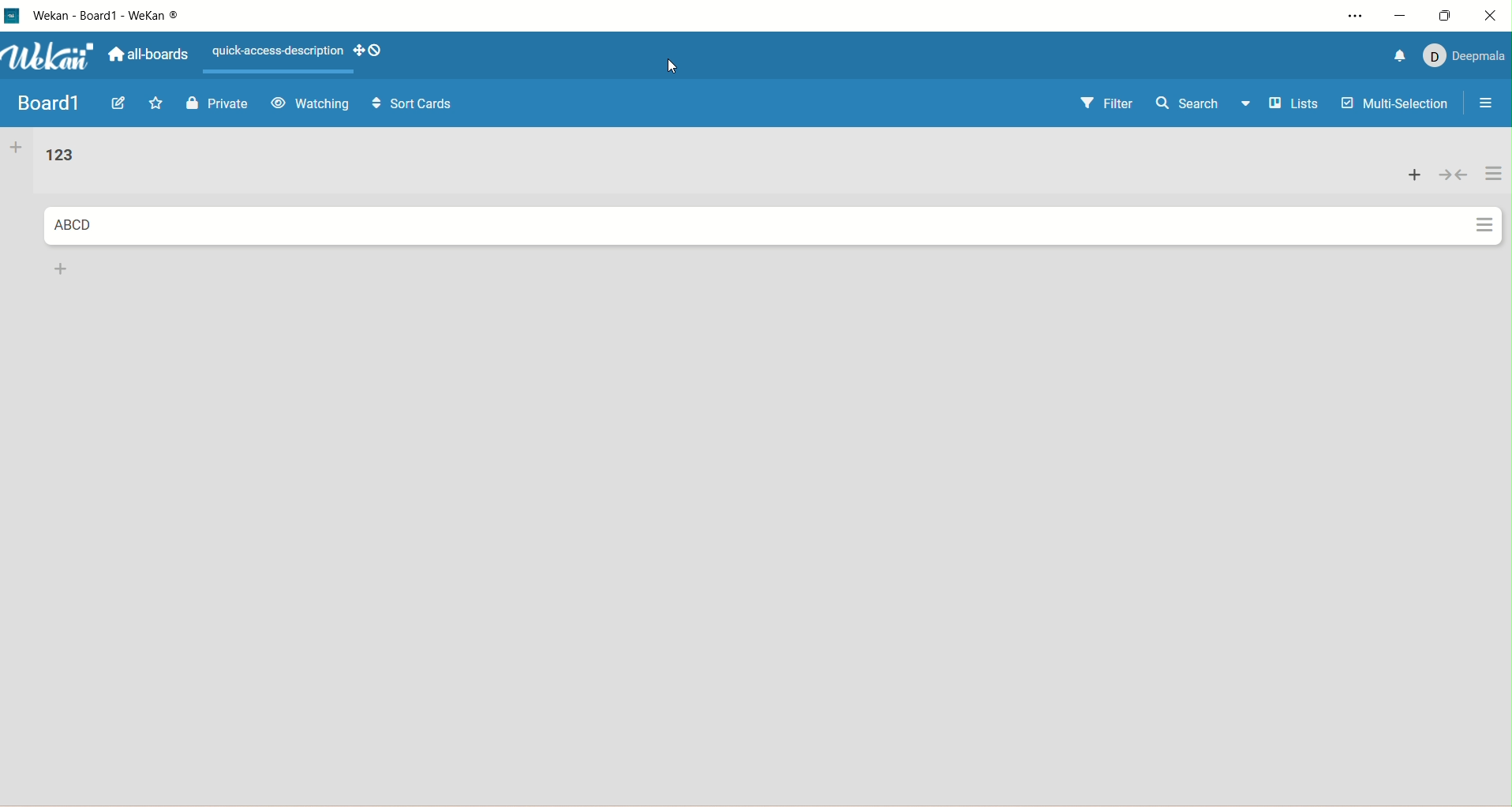 Image resolution: width=1512 pixels, height=807 pixels. I want to click on board title, so click(47, 103).